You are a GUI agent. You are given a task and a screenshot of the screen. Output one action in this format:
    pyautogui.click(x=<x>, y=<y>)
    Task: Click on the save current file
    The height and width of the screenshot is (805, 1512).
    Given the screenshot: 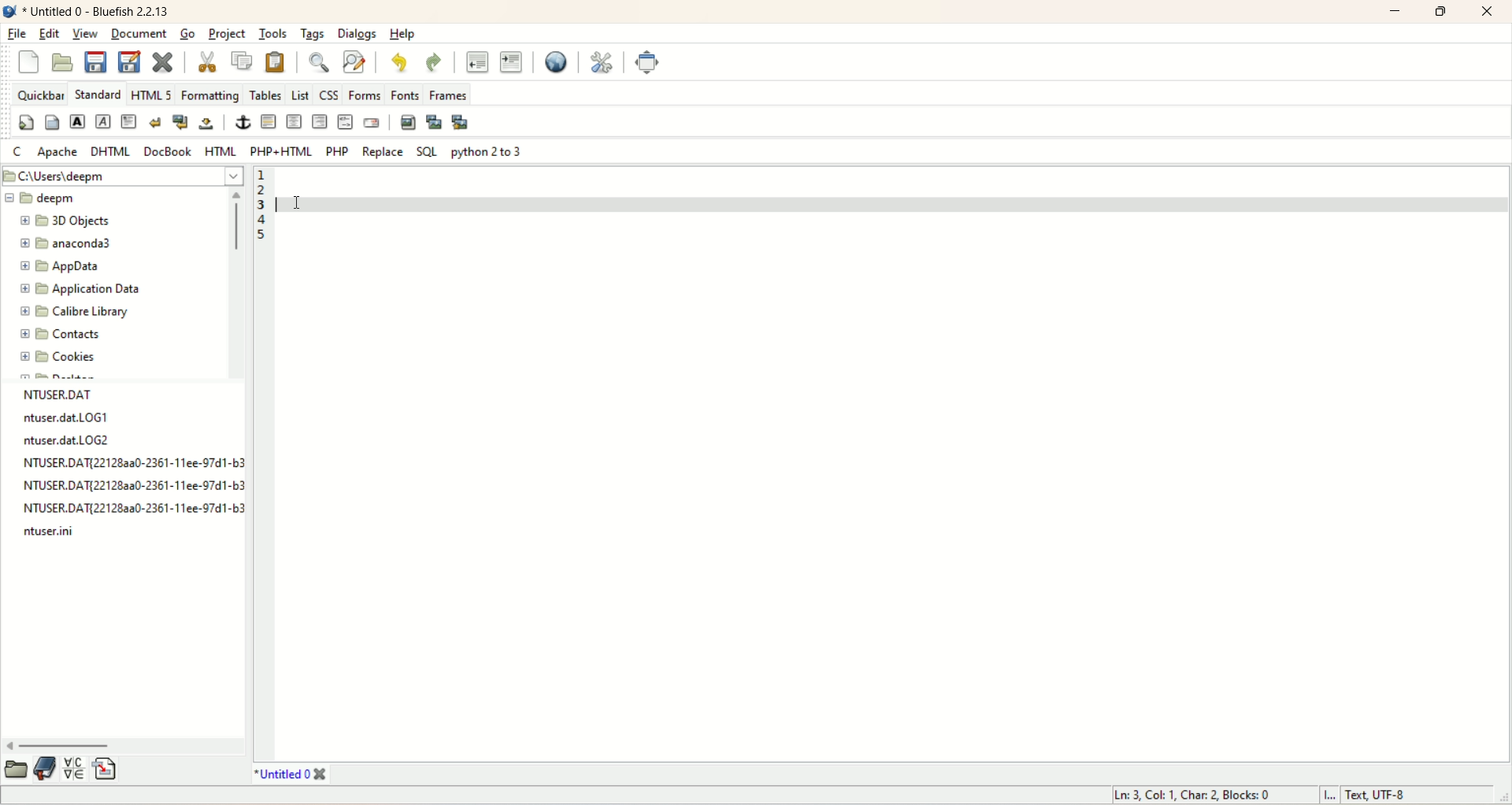 What is the action you would take?
    pyautogui.click(x=96, y=63)
    